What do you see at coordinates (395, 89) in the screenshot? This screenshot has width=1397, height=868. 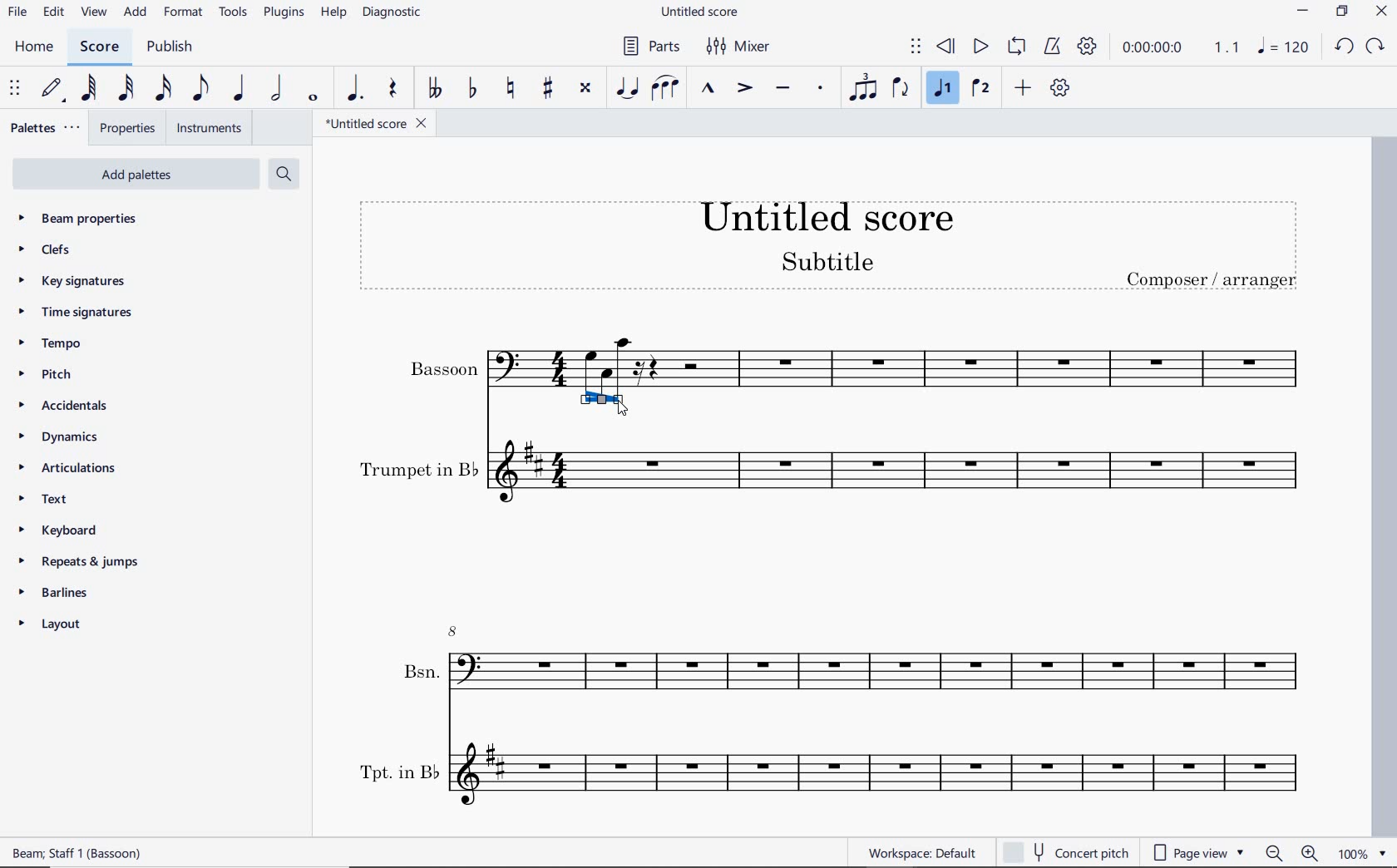 I see `rest` at bounding box center [395, 89].